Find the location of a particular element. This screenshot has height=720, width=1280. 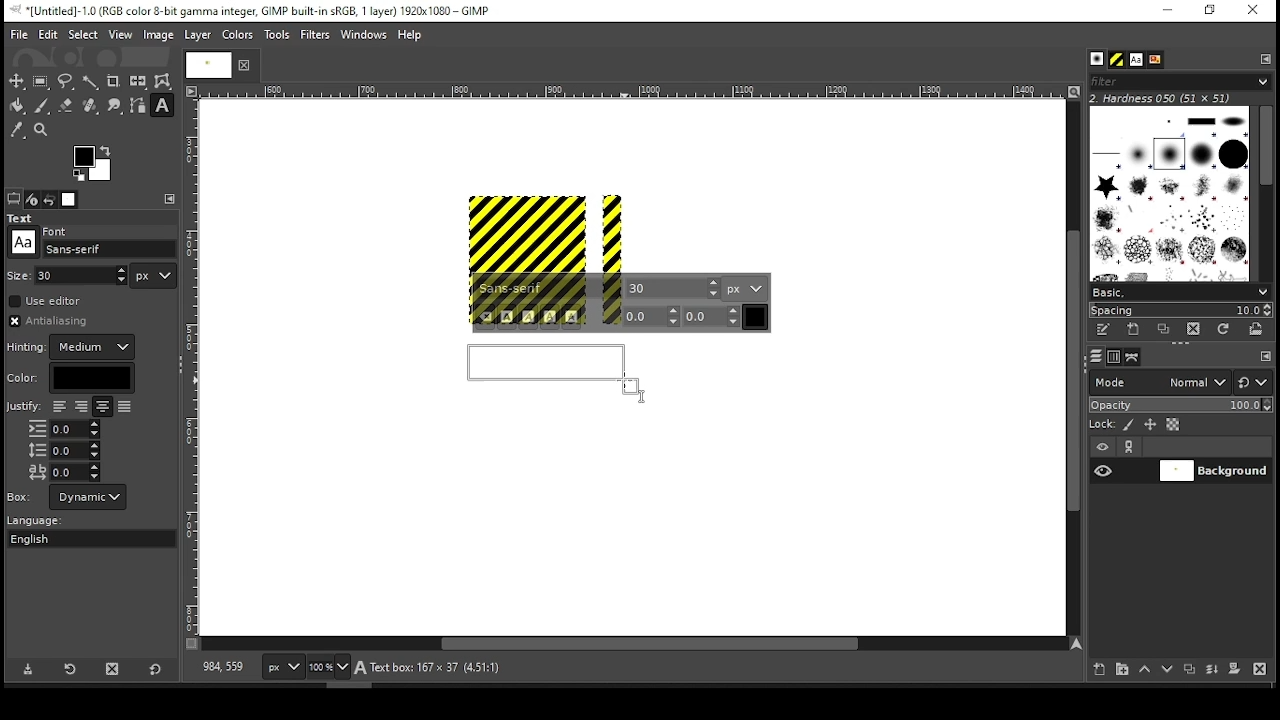

filled is located at coordinates (124, 408).